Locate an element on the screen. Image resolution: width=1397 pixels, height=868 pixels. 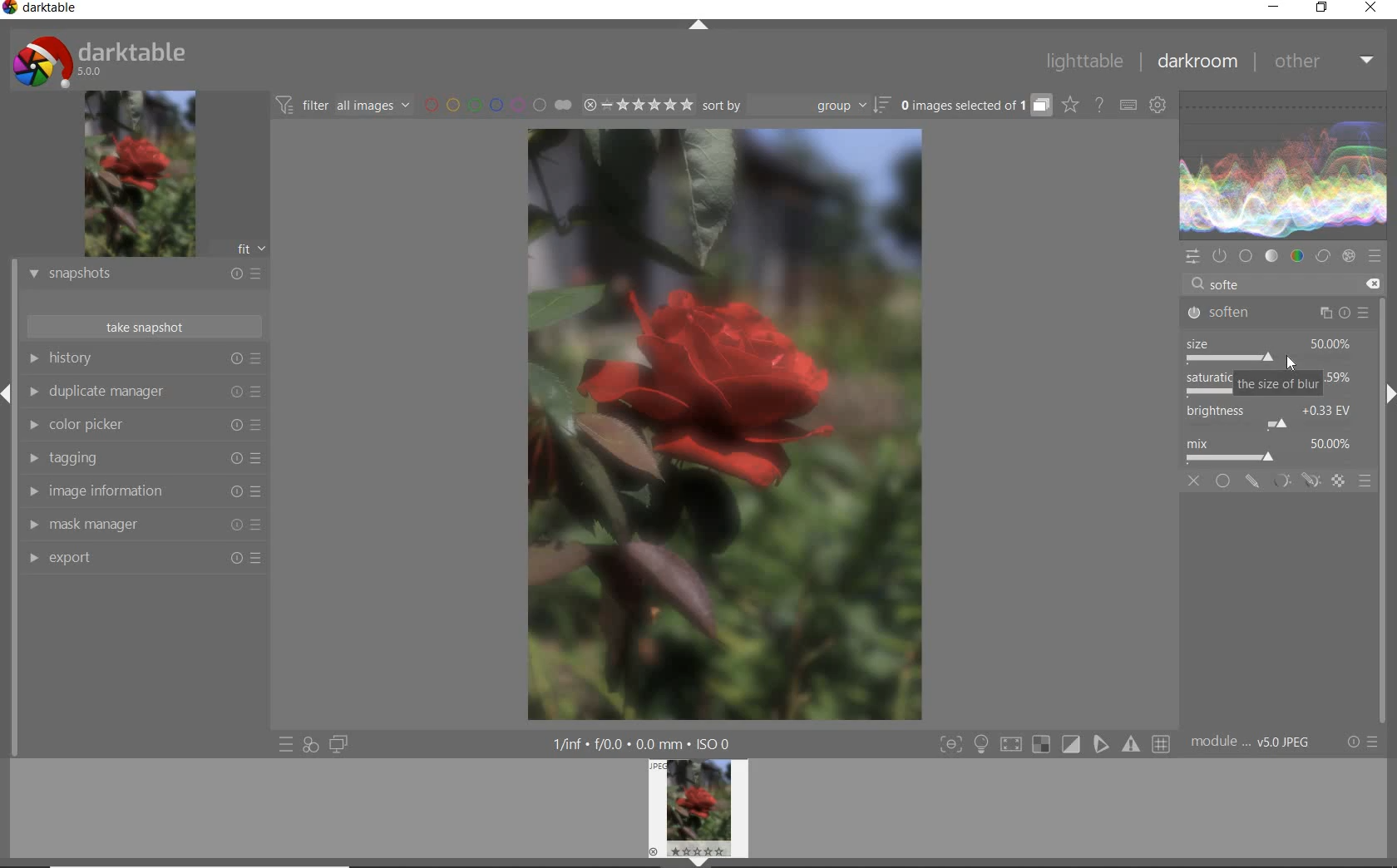
Toggle modes is located at coordinates (1052, 744).